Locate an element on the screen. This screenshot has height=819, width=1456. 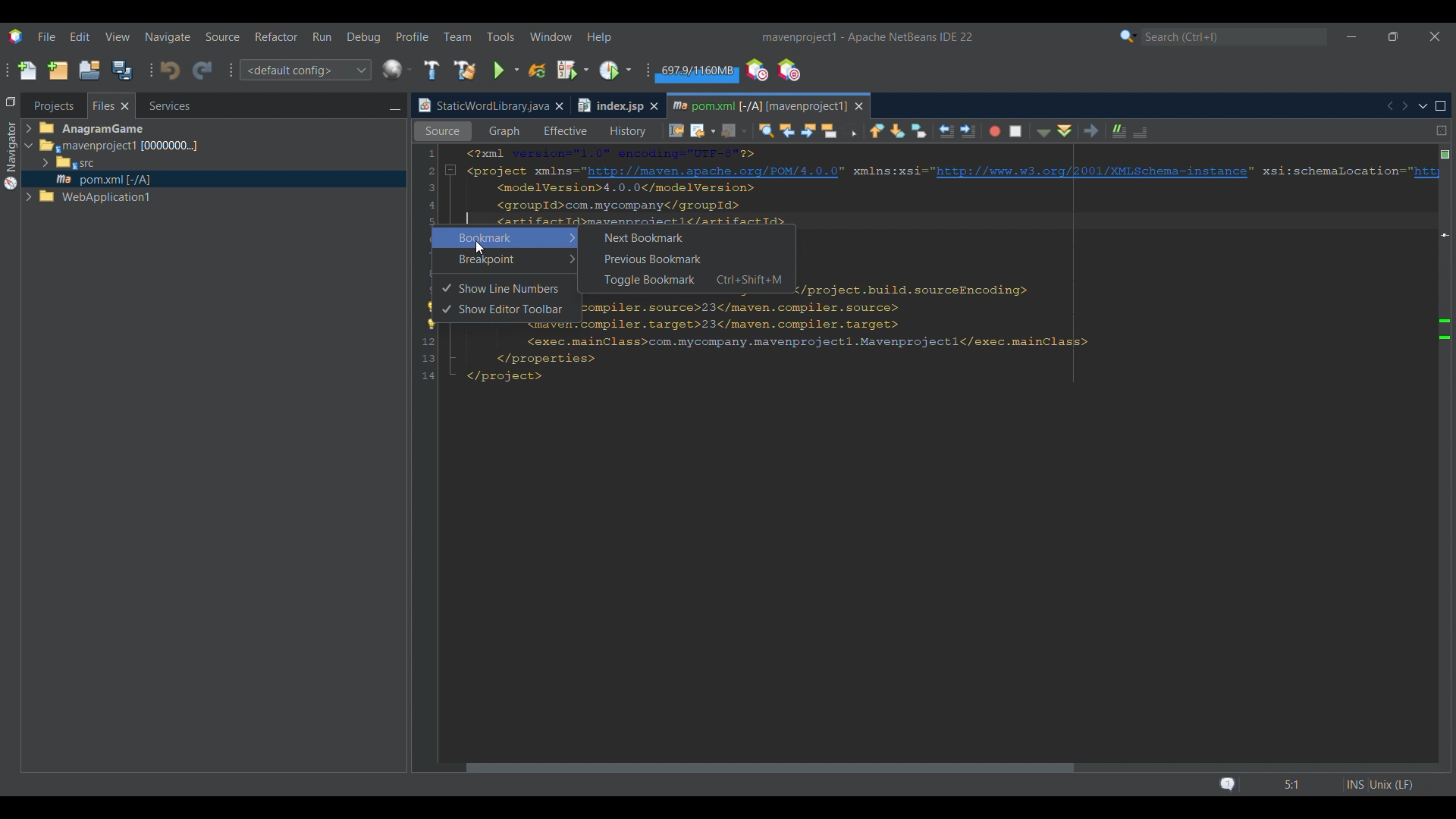
Project name added is located at coordinates (867, 37).